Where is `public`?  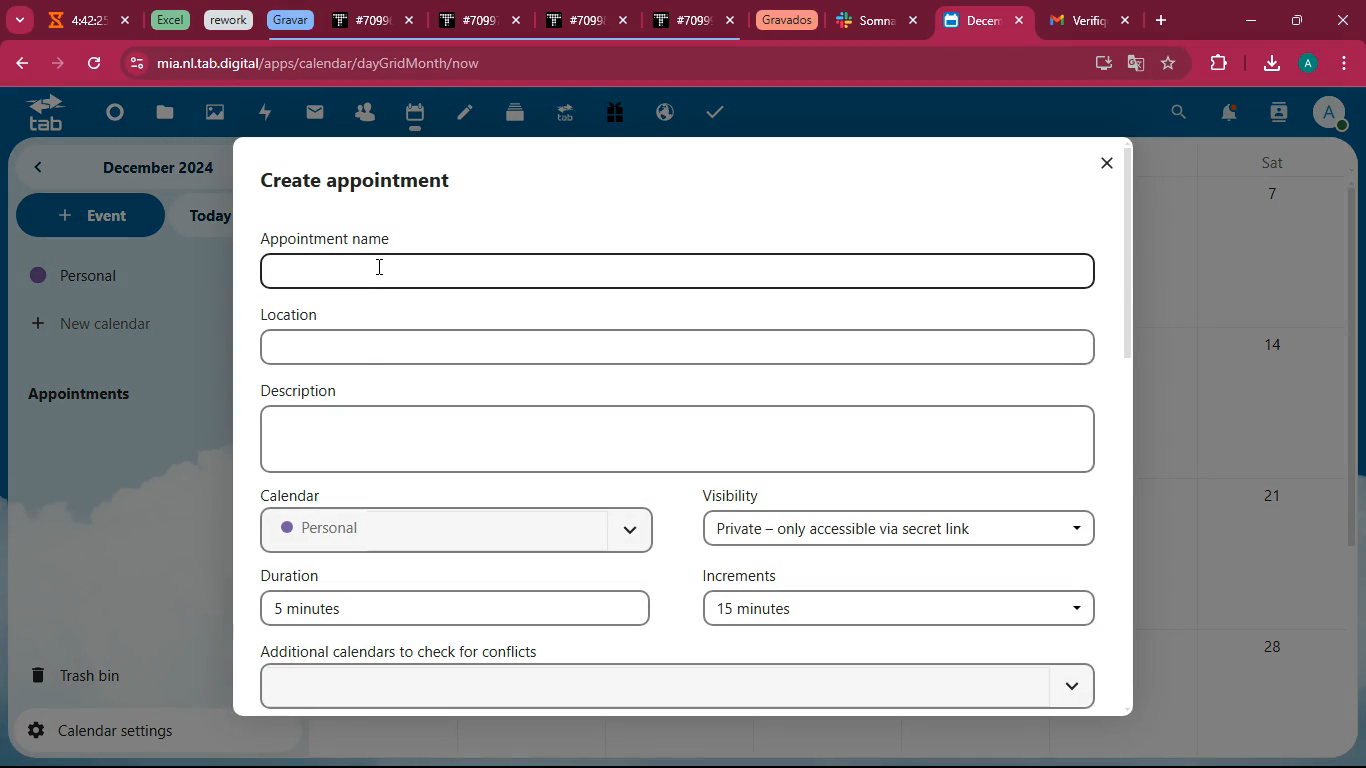
public is located at coordinates (666, 113).